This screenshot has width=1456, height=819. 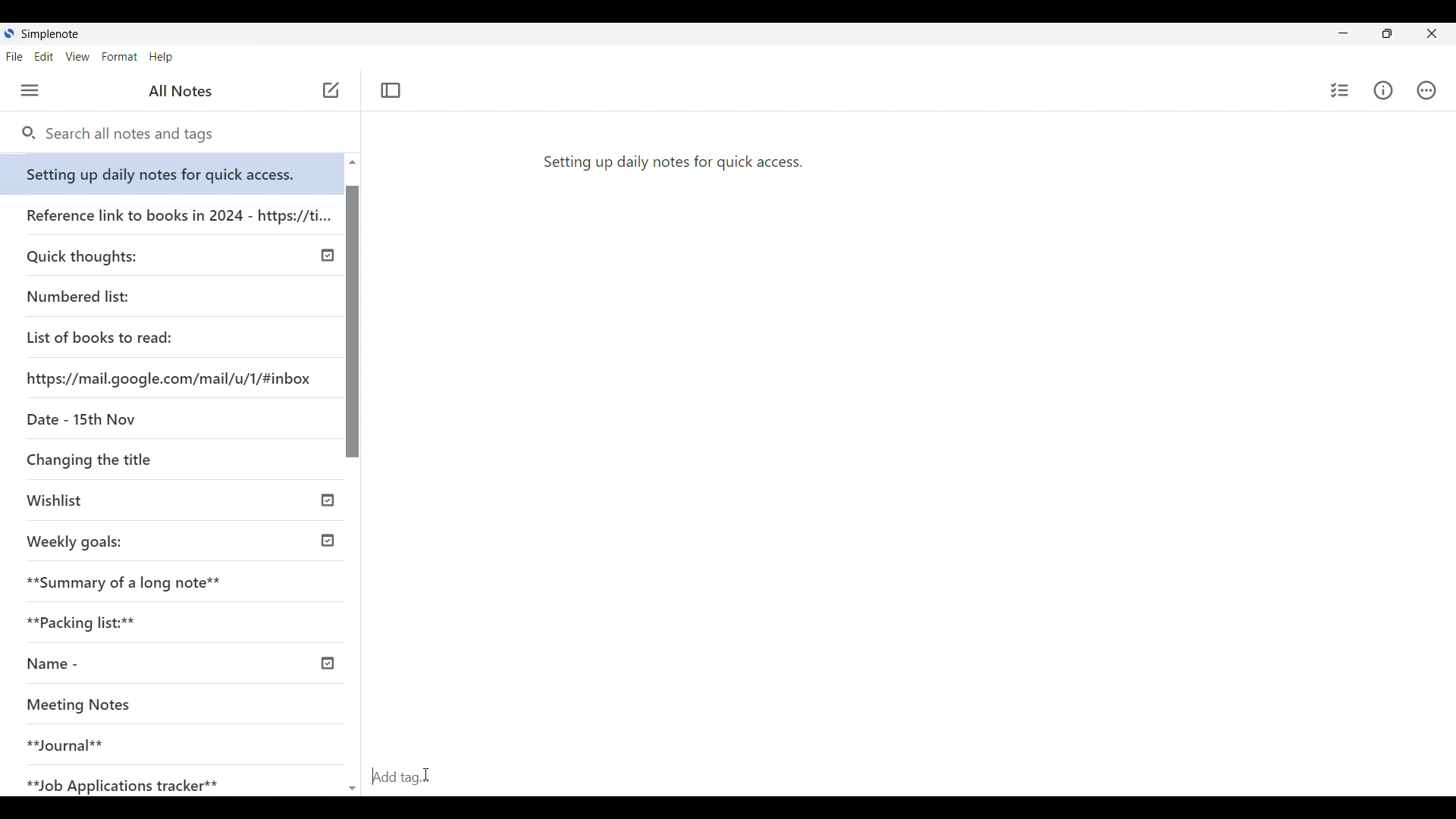 What do you see at coordinates (161, 57) in the screenshot?
I see `Help menu` at bounding box center [161, 57].